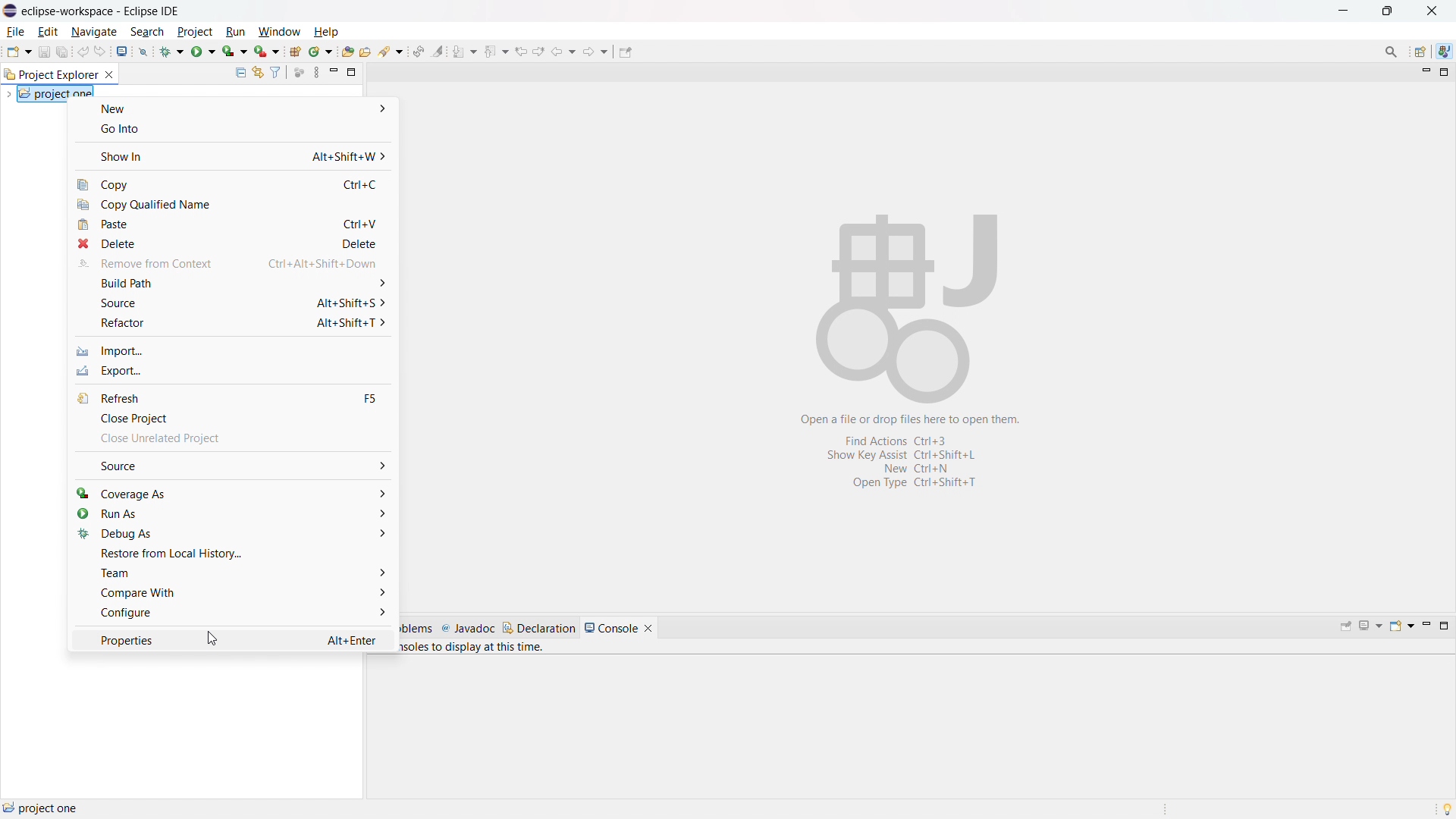 The height and width of the screenshot is (819, 1456). What do you see at coordinates (231, 573) in the screenshot?
I see `team` at bounding box center [231, 573].